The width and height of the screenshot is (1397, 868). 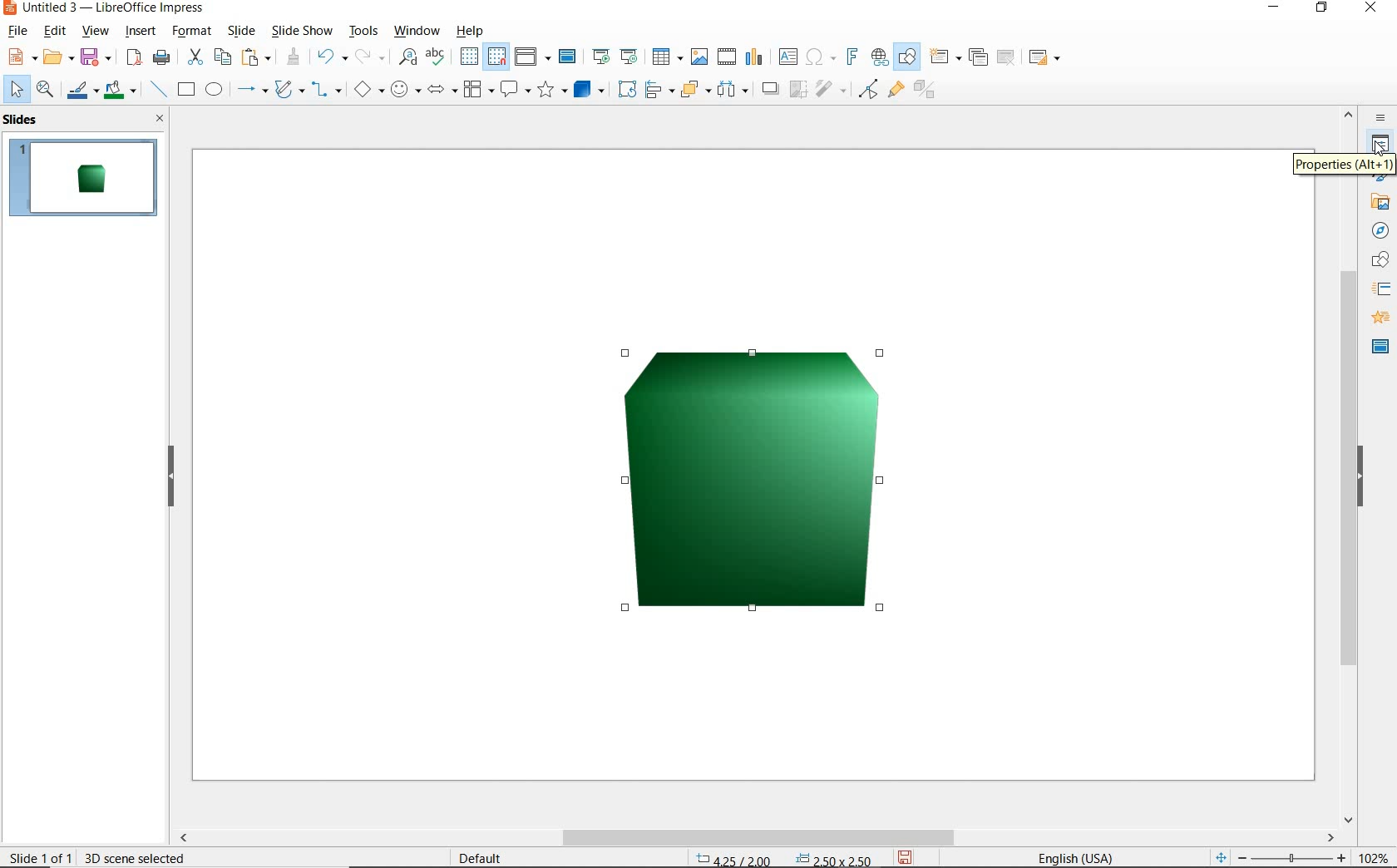 I want to click on insert image, so click(x=699, y=57).